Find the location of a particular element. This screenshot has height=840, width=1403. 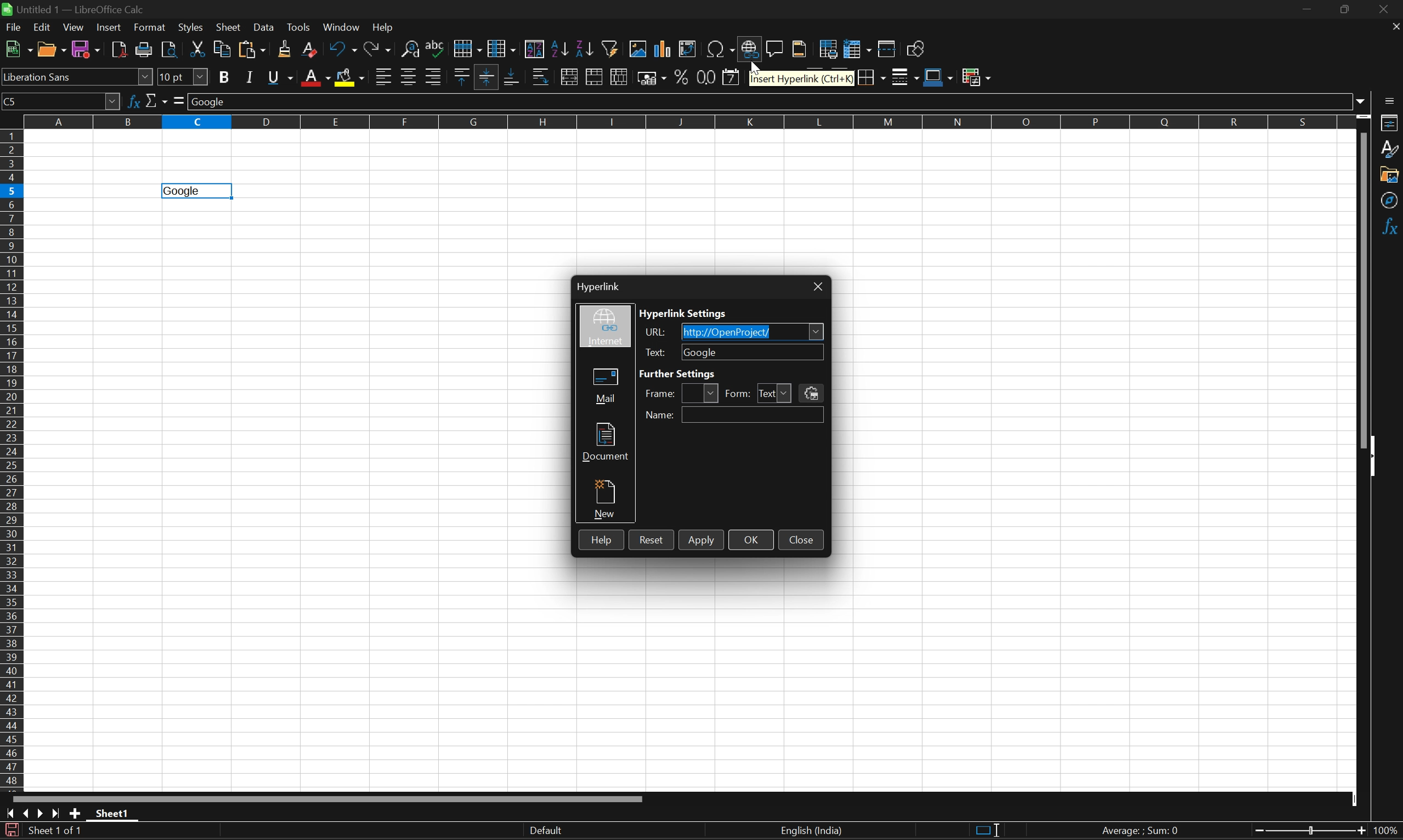

Gallery is located at coordinates (1390, 174).